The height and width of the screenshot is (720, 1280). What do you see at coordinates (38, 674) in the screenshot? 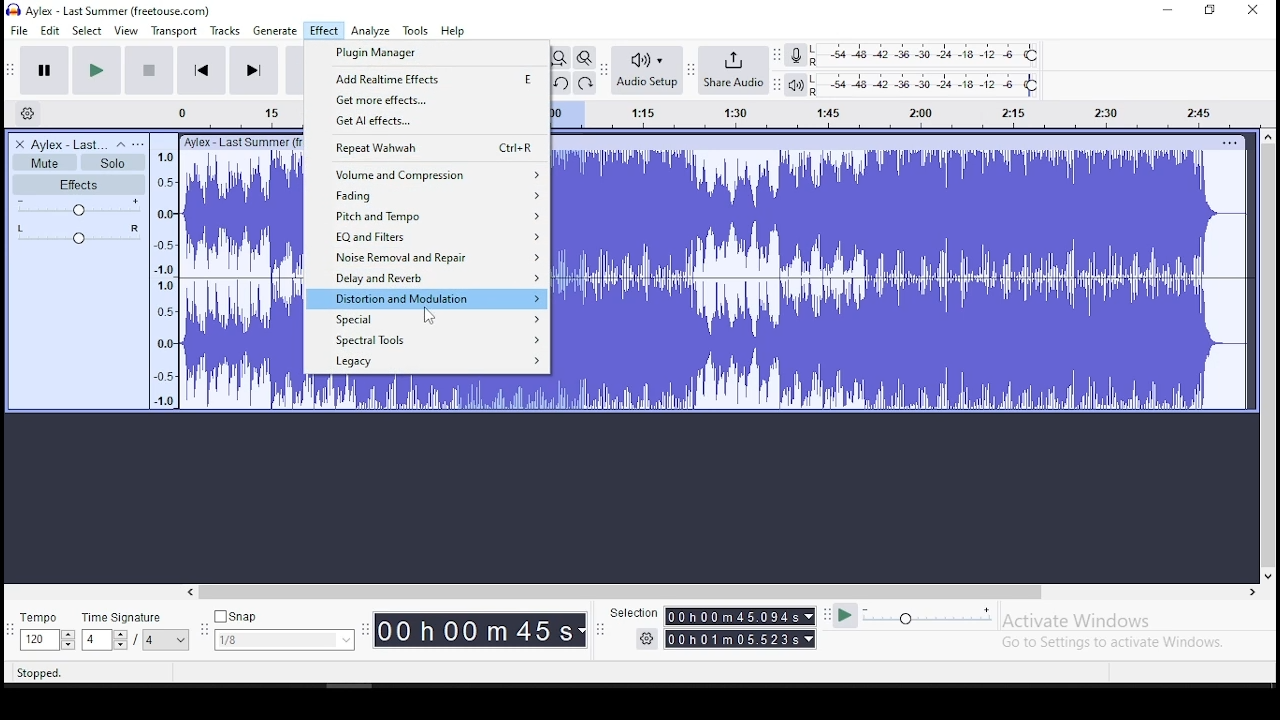
I see `stopped` at bounding box center [38, 674].